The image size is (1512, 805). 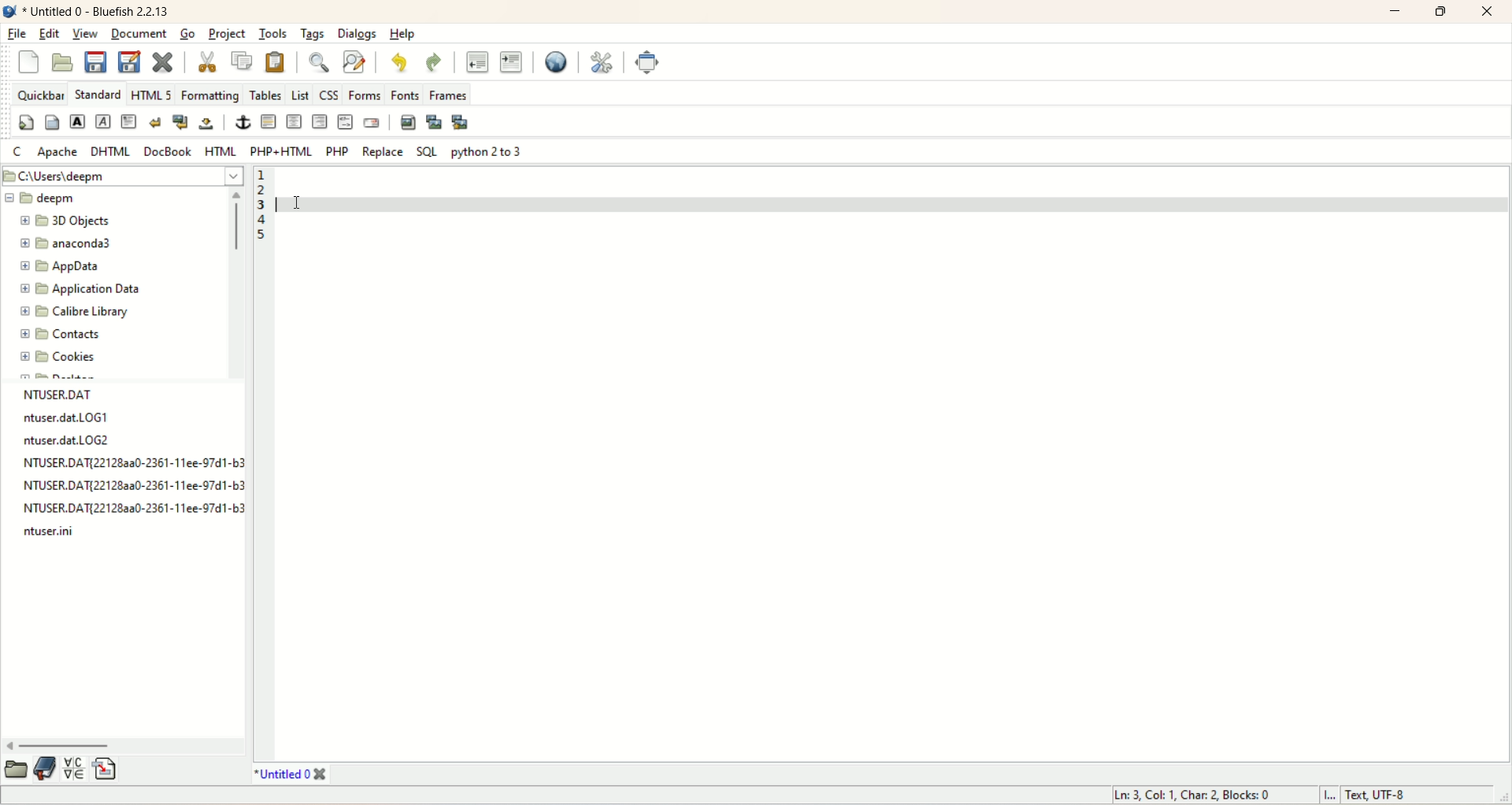 What do you see at coordinates (61, 335) in the screenshot?
I see `contacts` at bounding box center [61, 335].